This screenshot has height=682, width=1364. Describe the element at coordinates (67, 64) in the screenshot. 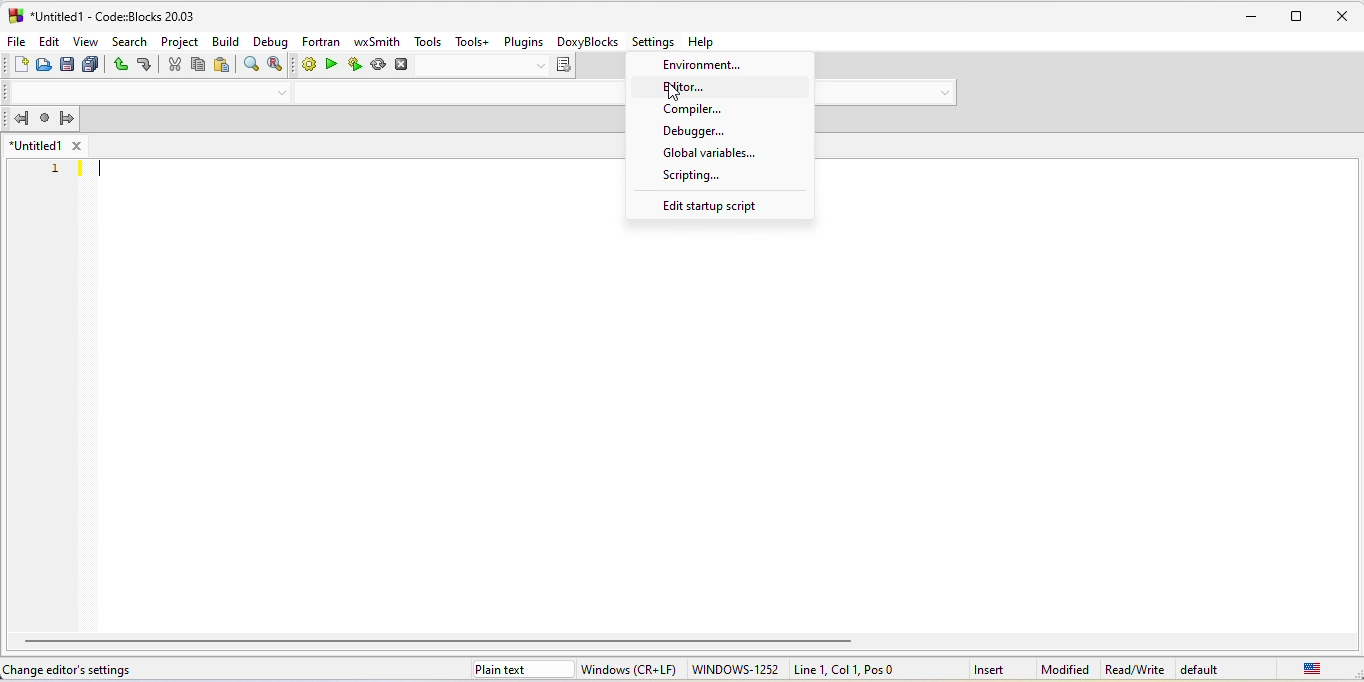

I see `save` at that location.